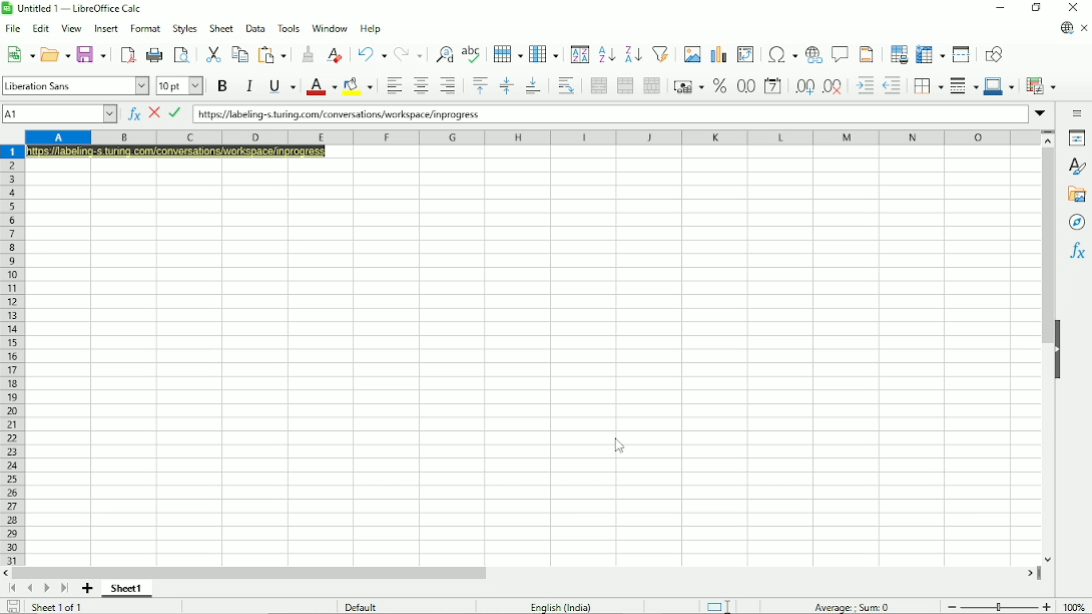 The image size is (1092, 614). What do you see at coordinates (1076, 197) in the screenshot?
I see `Gallery` at bounding box center [1076, 197].